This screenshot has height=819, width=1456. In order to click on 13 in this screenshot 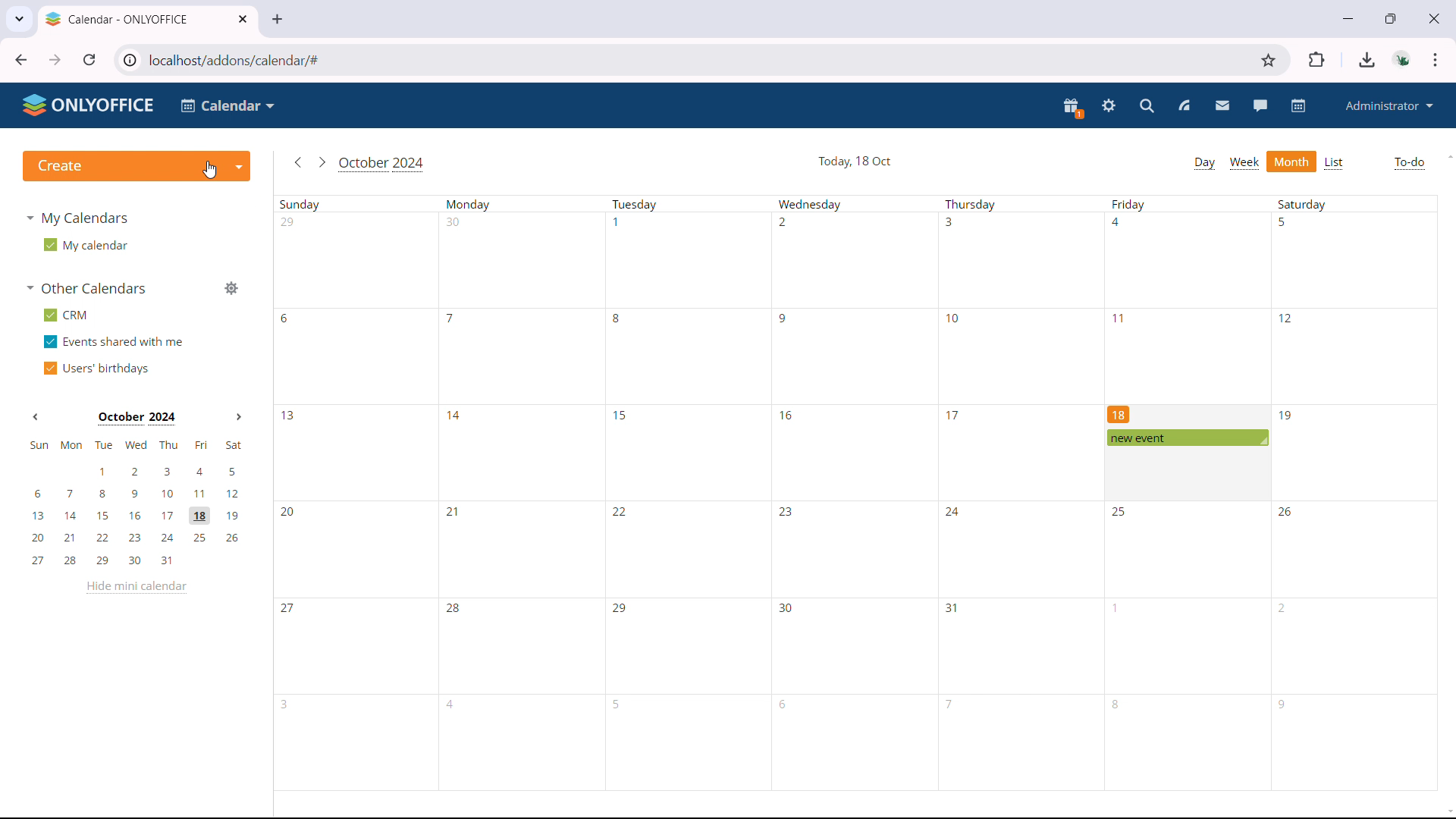, I will do `click(289, 416)`.